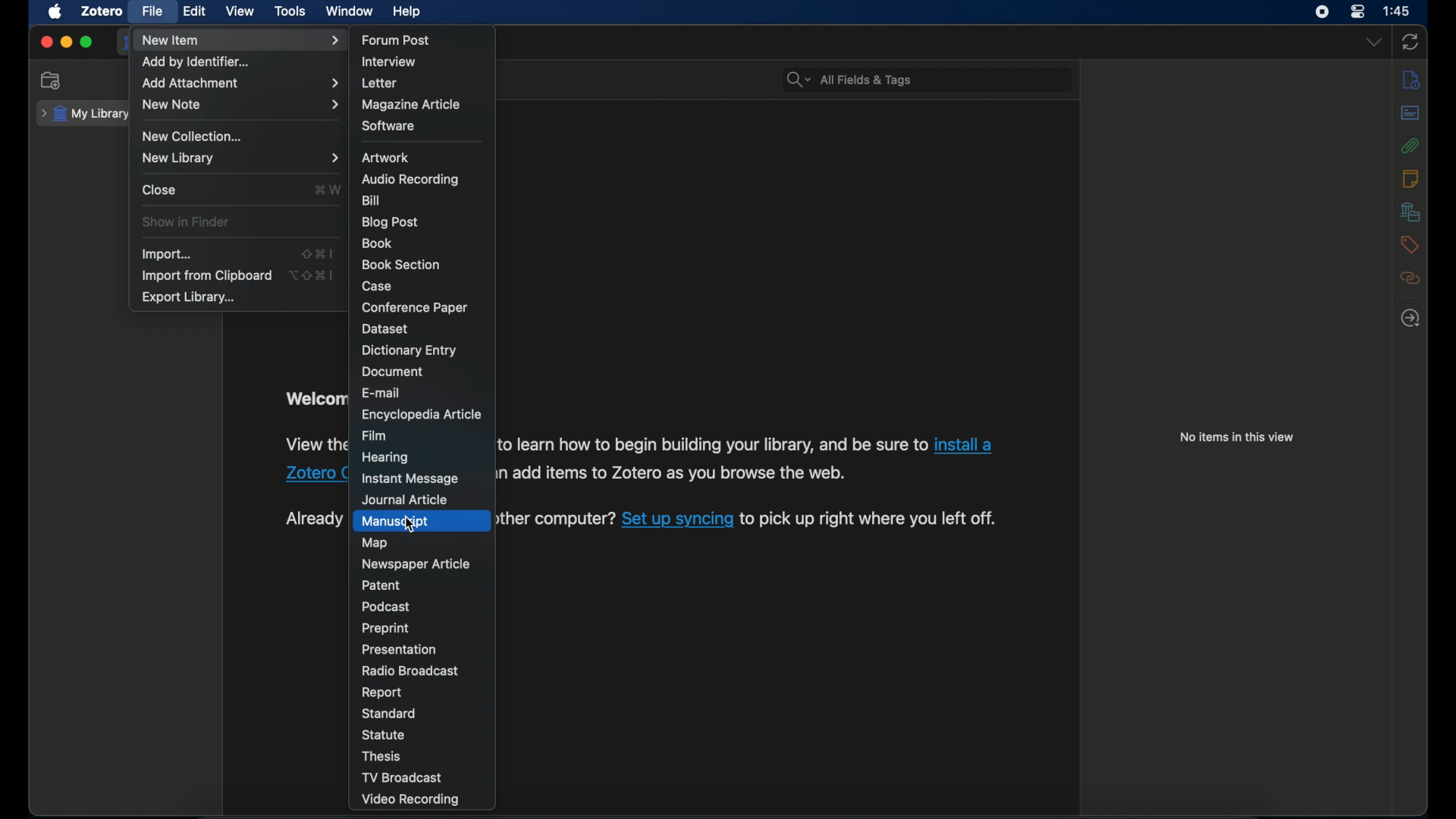 The height and width of the screenshot is (819, 1456). I want to click on install a, so click(968, 443).